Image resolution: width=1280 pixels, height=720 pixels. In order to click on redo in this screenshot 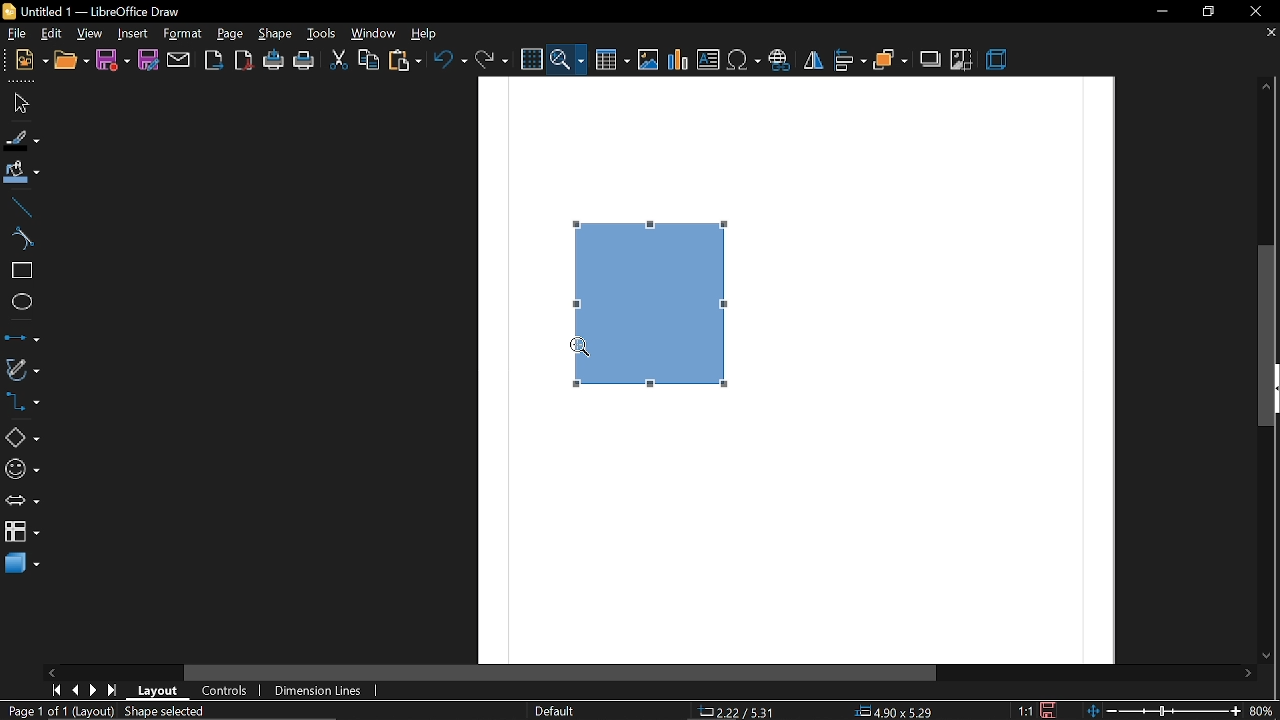, I will do `click(492, 60)`.